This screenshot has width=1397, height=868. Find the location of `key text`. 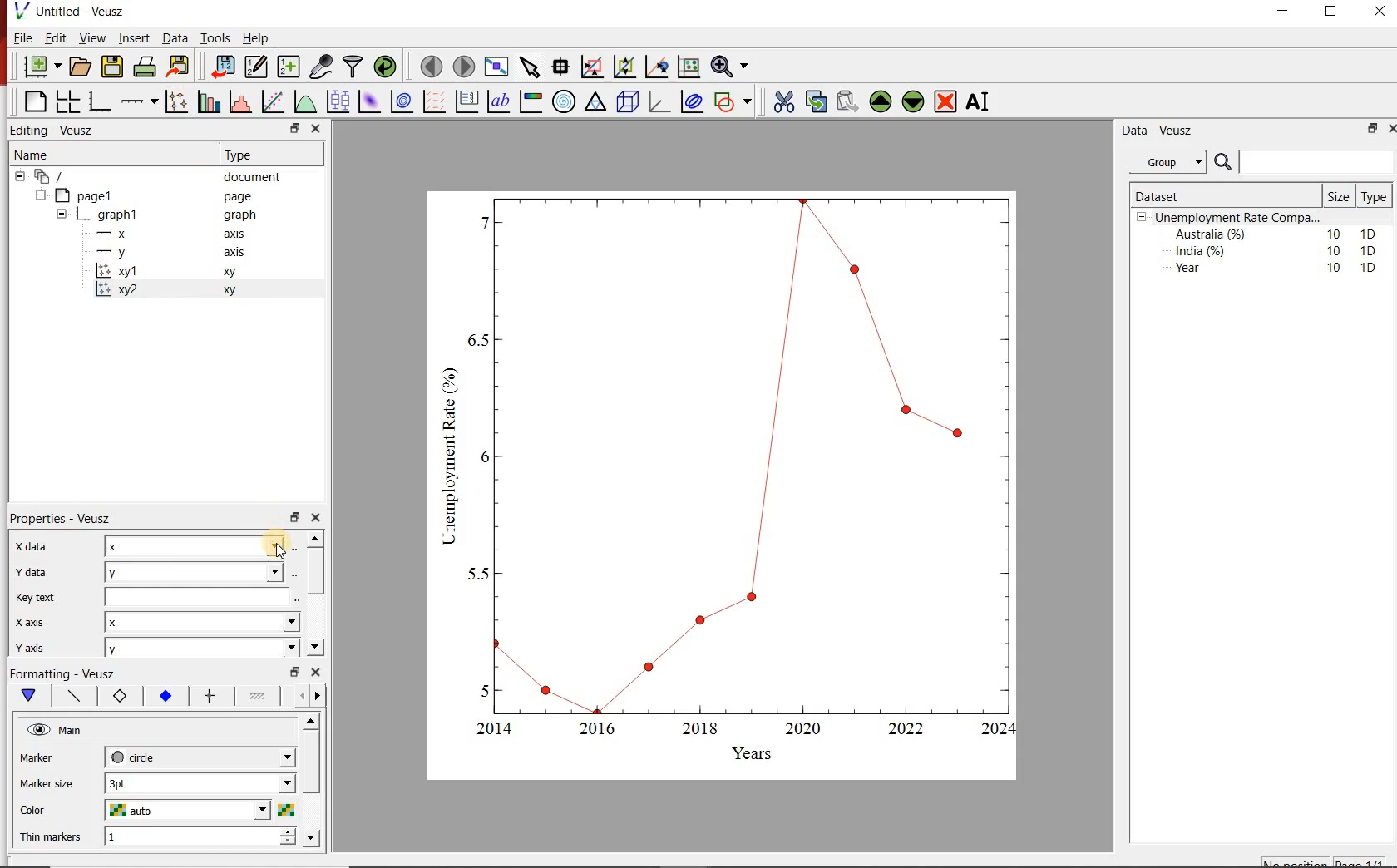

key text is located at coordinates (34, 598).